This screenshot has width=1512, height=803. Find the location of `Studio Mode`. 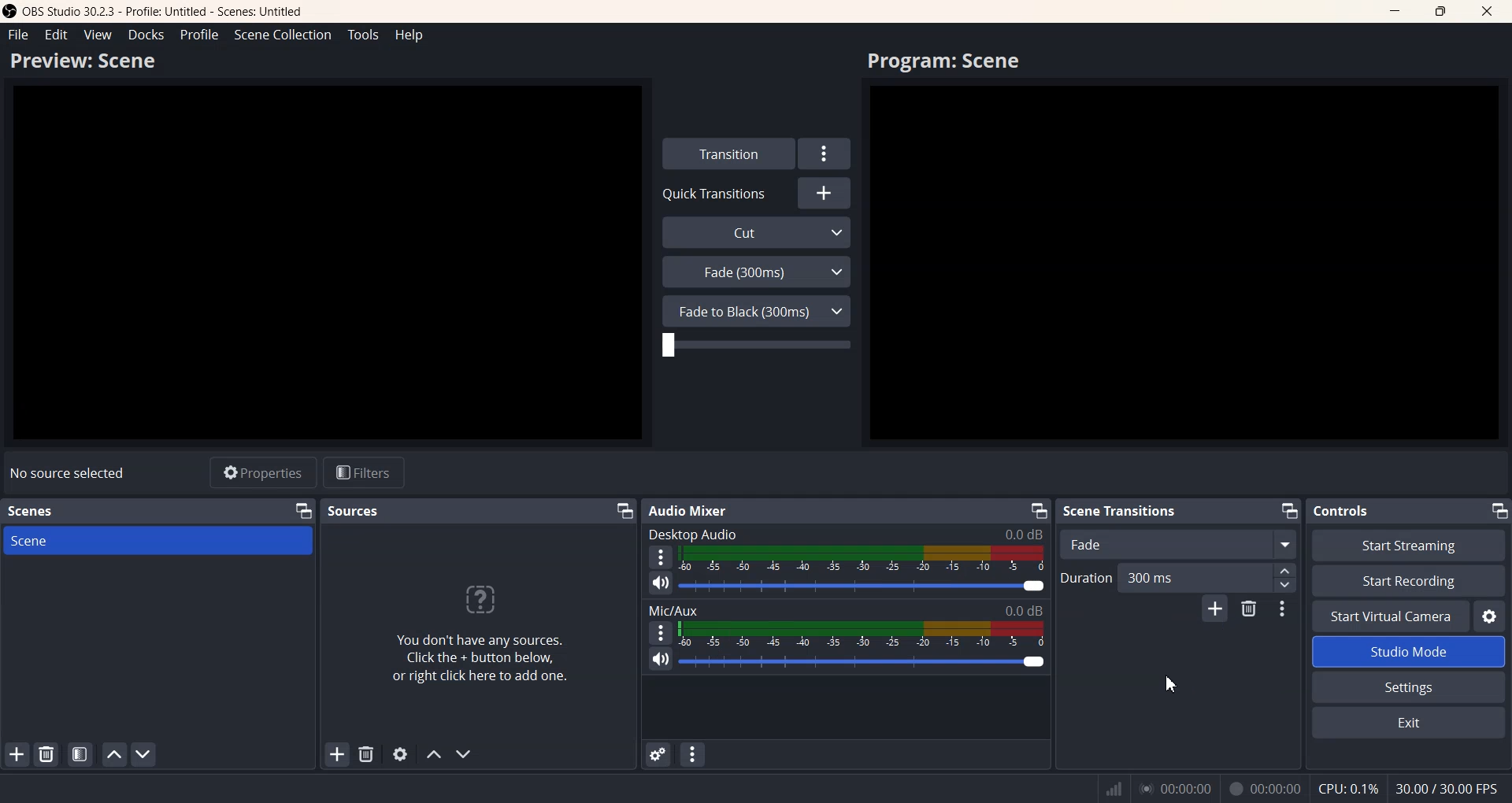

Studio Mode is located at coordinates (1411, 649).